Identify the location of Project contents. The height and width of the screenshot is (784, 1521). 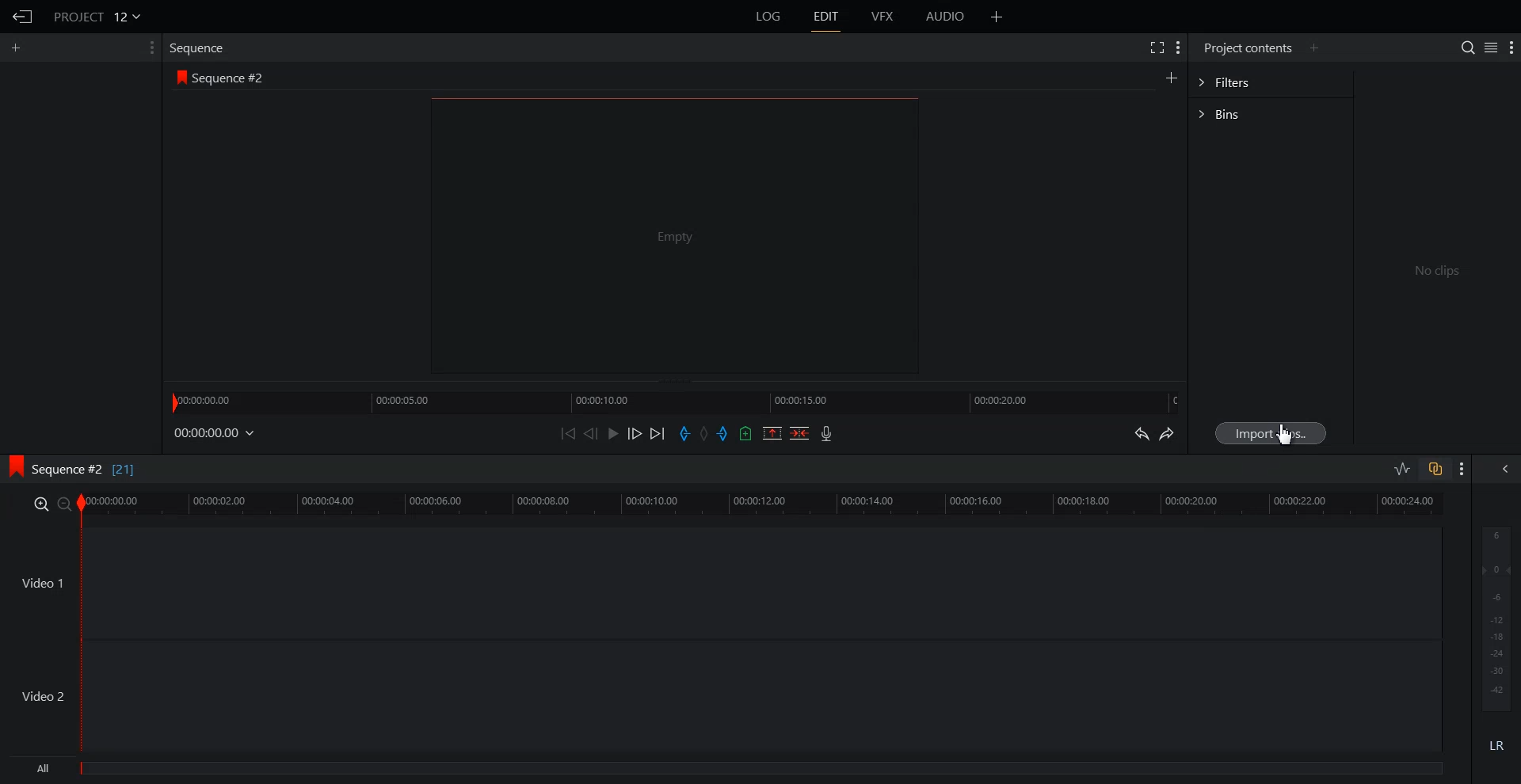
(1245, 48).